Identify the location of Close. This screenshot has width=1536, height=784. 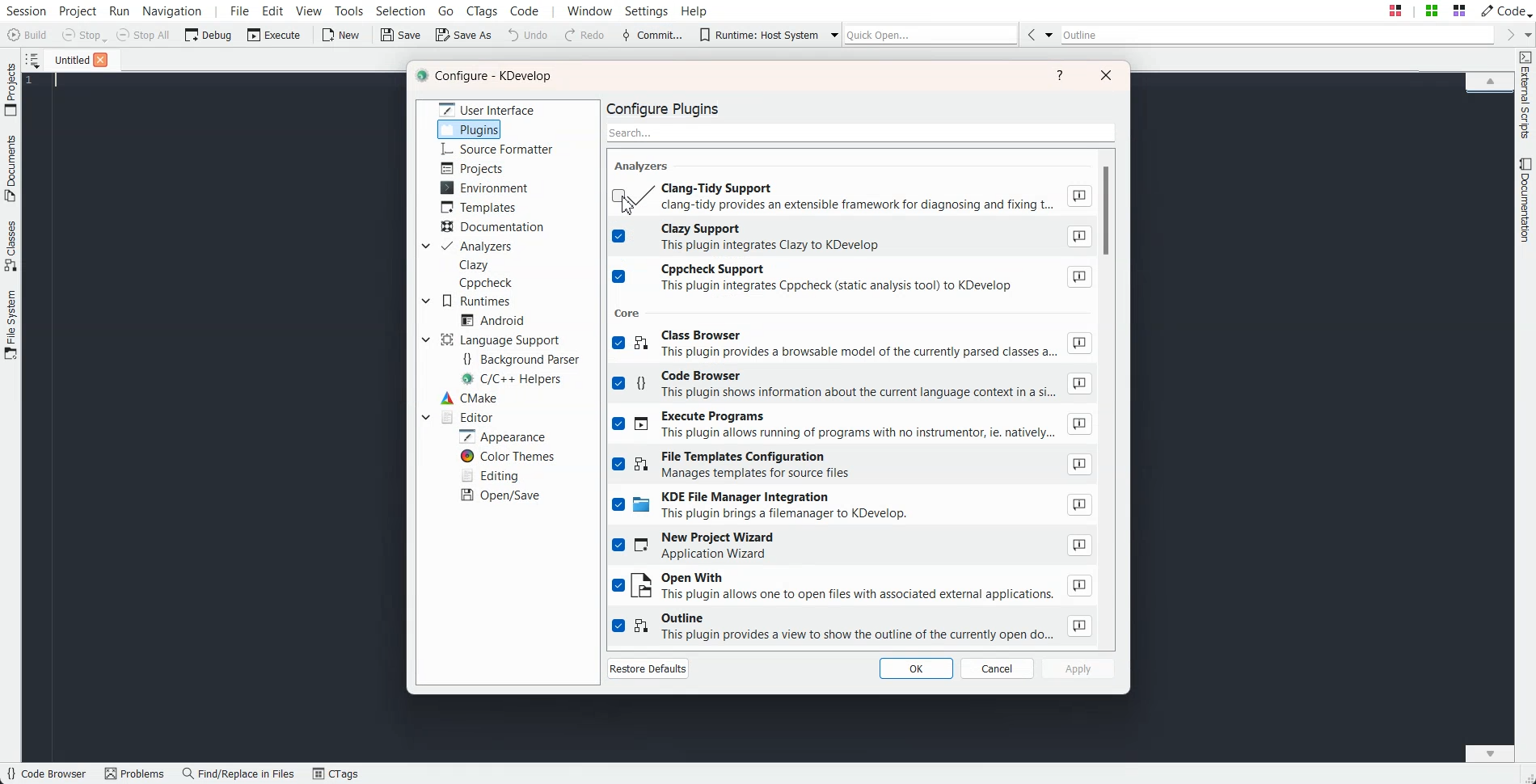
(1106, 74).